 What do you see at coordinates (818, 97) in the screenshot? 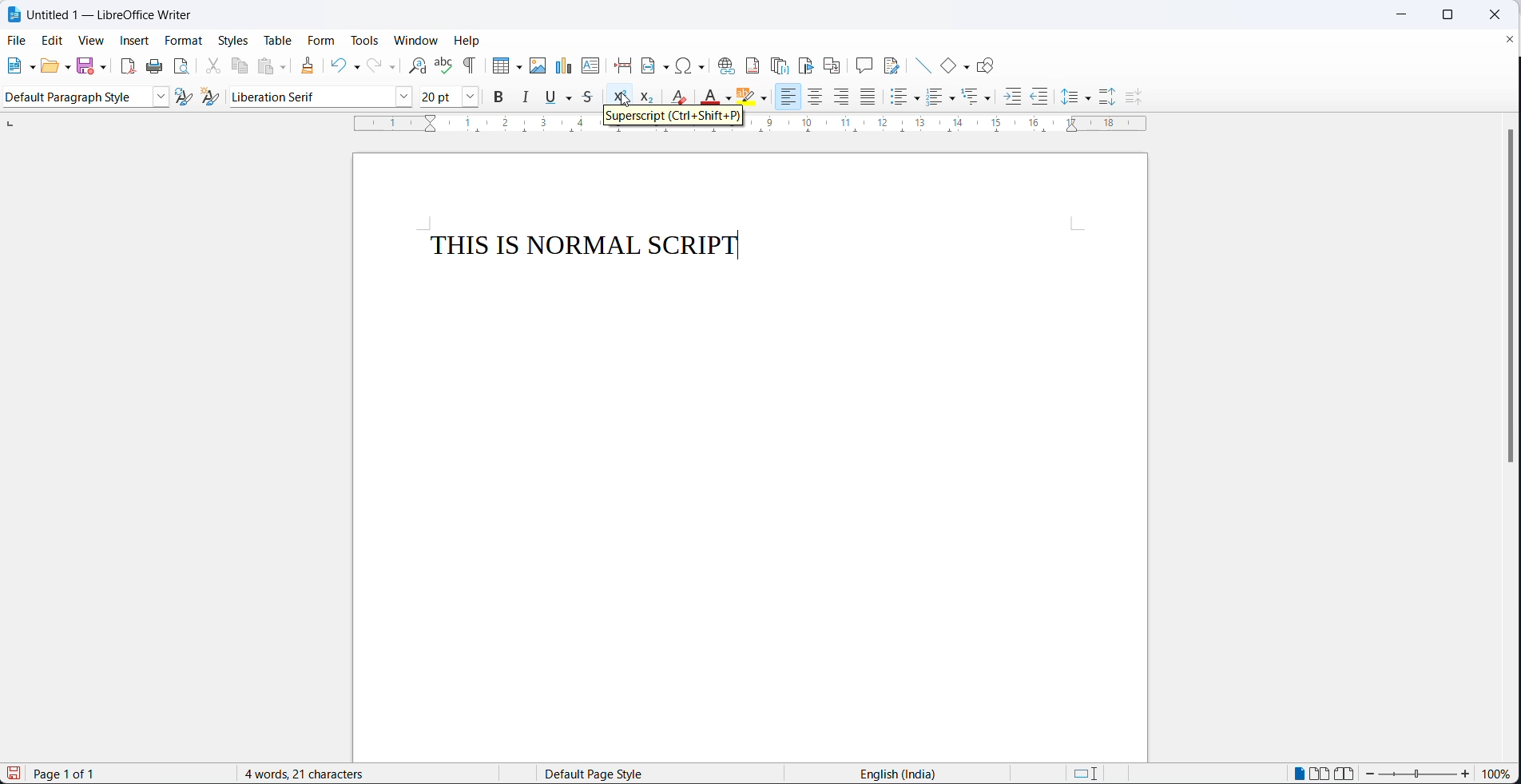
I see `text align center` at bounding box center [818, 97].